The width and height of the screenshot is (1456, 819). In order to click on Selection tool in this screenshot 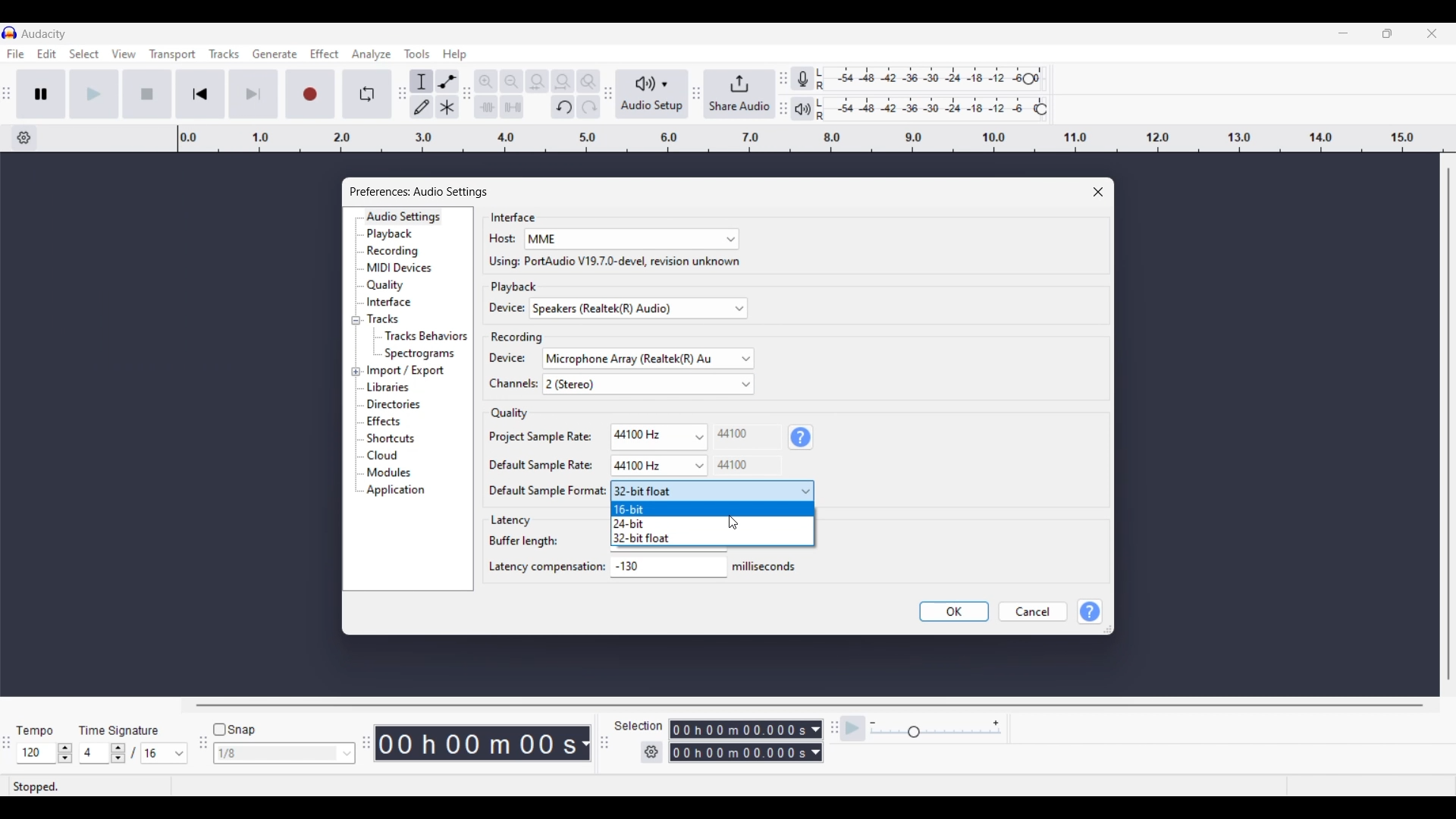, I will do `click(422, 81)`.